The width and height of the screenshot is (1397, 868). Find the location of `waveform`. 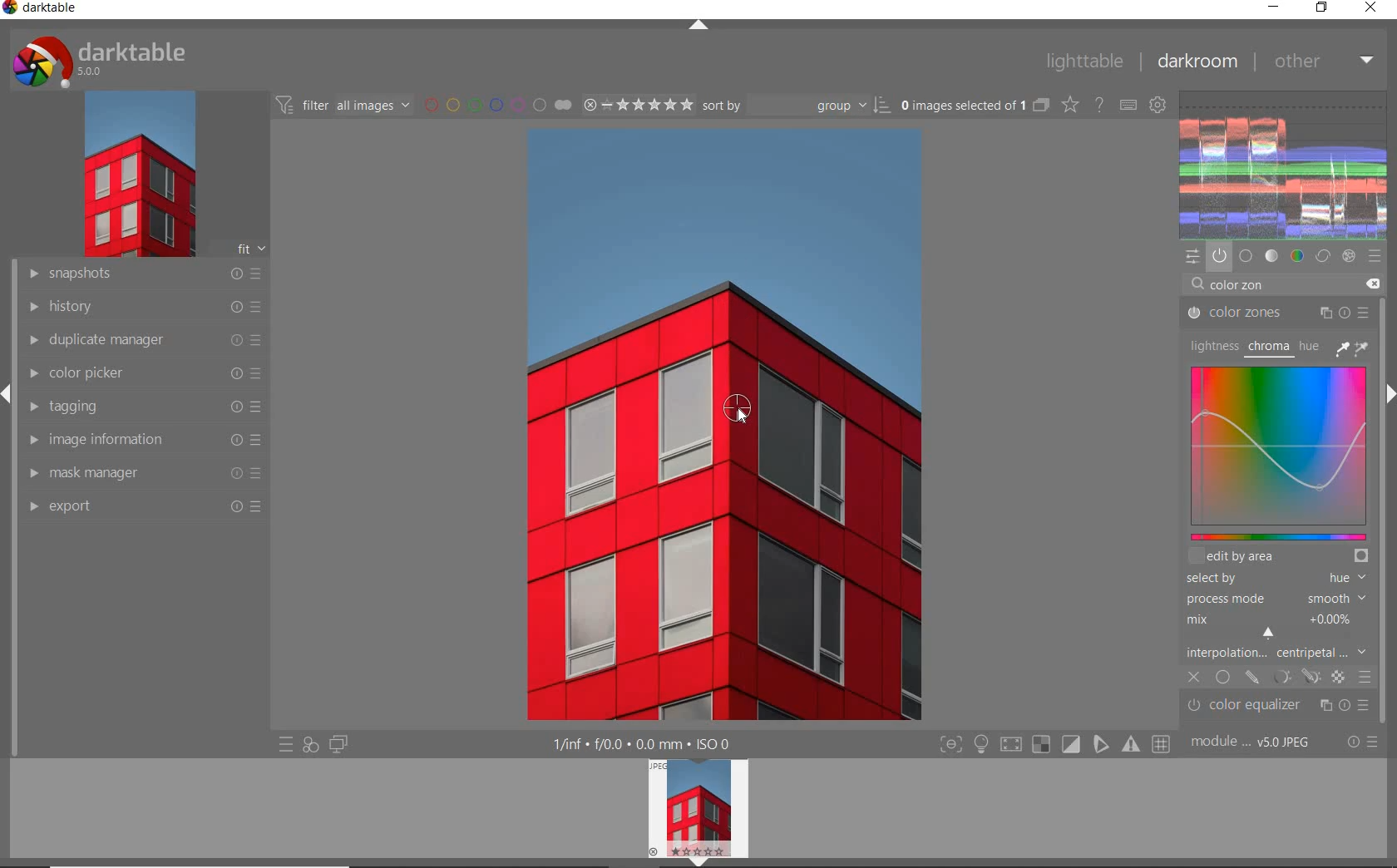

waveform is located at coordinates (1285, 163).